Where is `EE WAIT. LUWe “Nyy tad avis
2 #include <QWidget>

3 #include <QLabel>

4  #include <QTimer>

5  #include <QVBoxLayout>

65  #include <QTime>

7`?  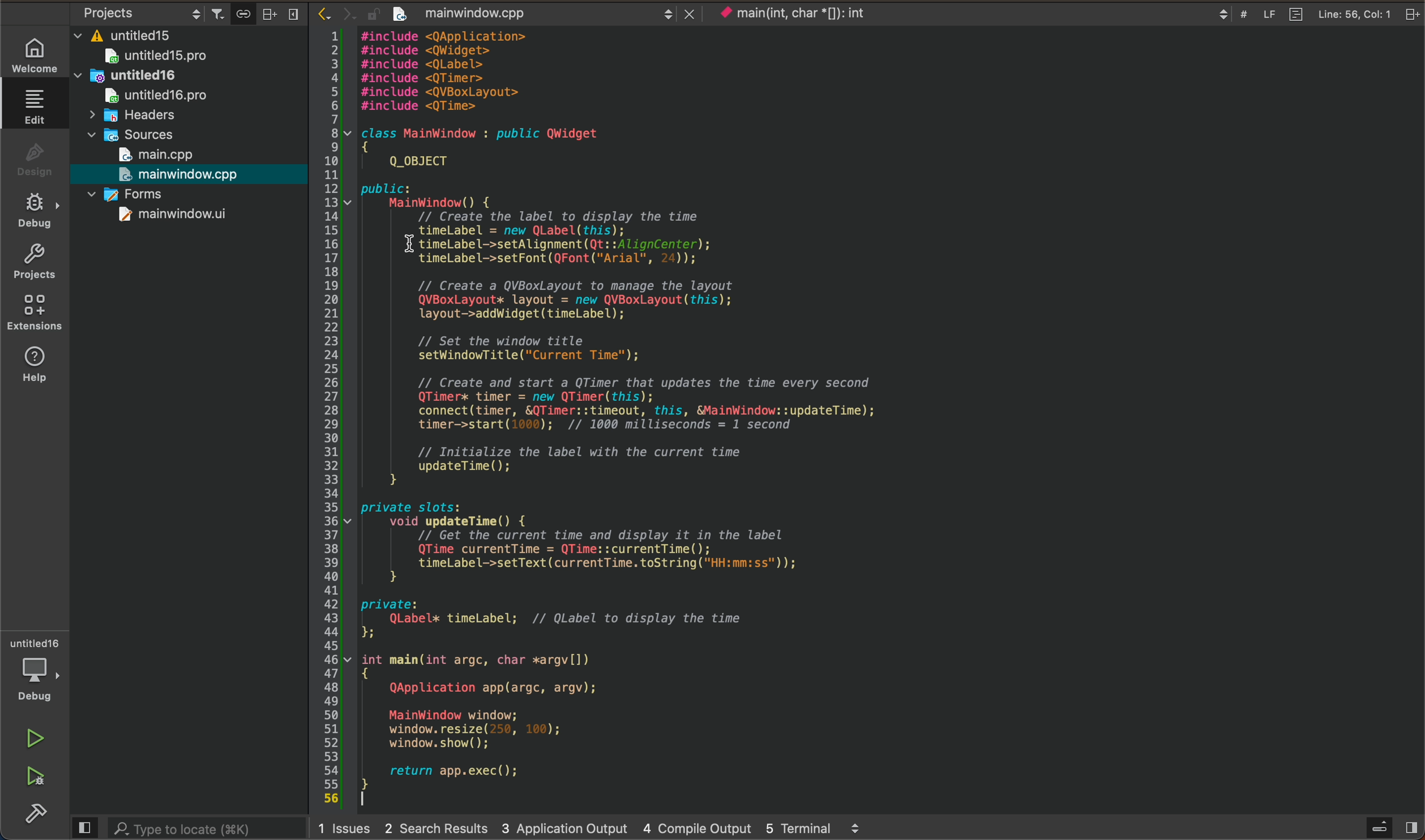
EE WAIT. LUWe “Nyy tad avis
2 #include <QWidget>

3 #include <QLabel>

4  #include <QTimer>

5  #include <QVBoxLayout>

65  #include <QTime>

7 is located at coordinates (446, 72).